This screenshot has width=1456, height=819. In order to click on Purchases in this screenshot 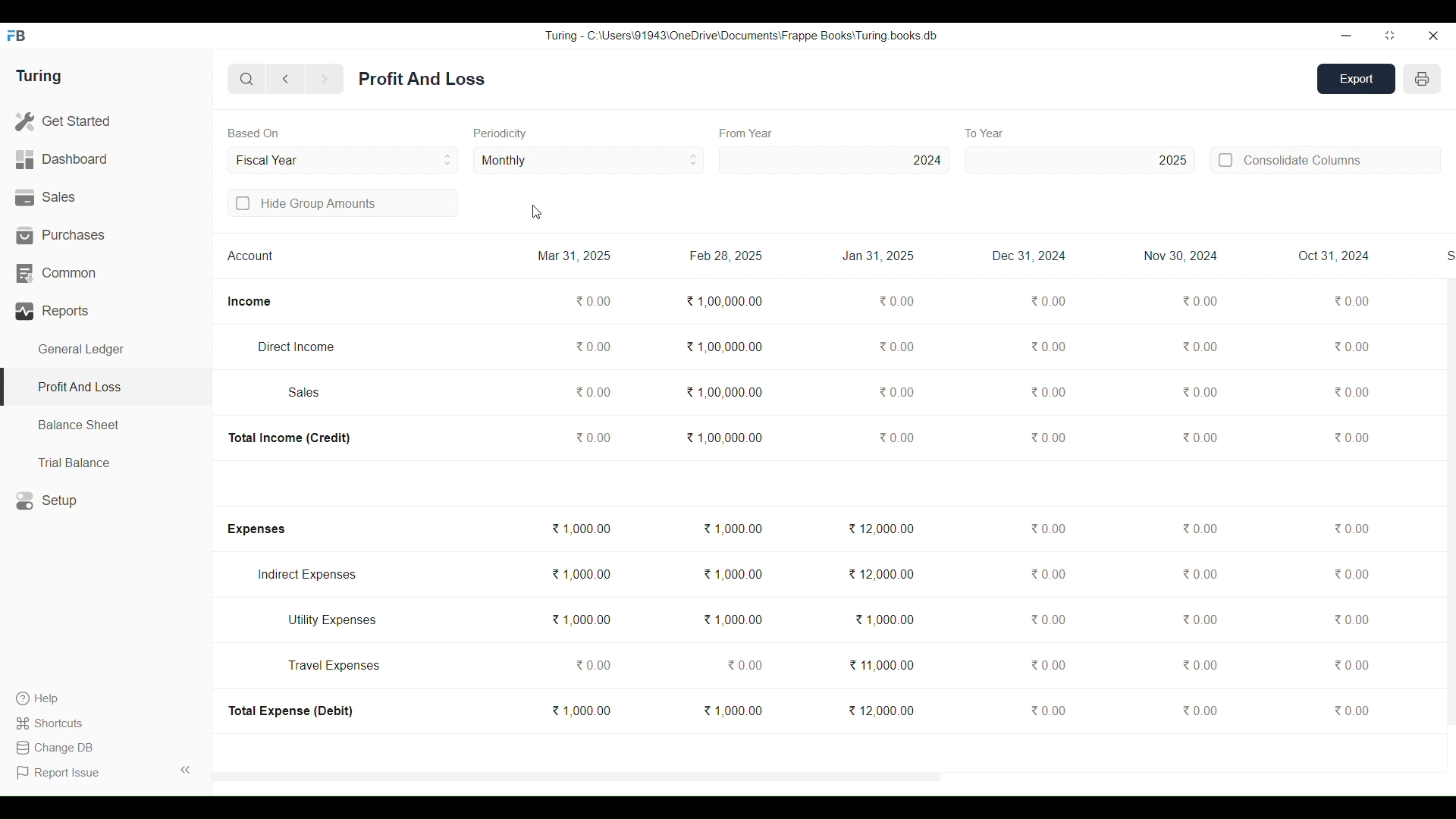, I will do `click(106, 235)`.